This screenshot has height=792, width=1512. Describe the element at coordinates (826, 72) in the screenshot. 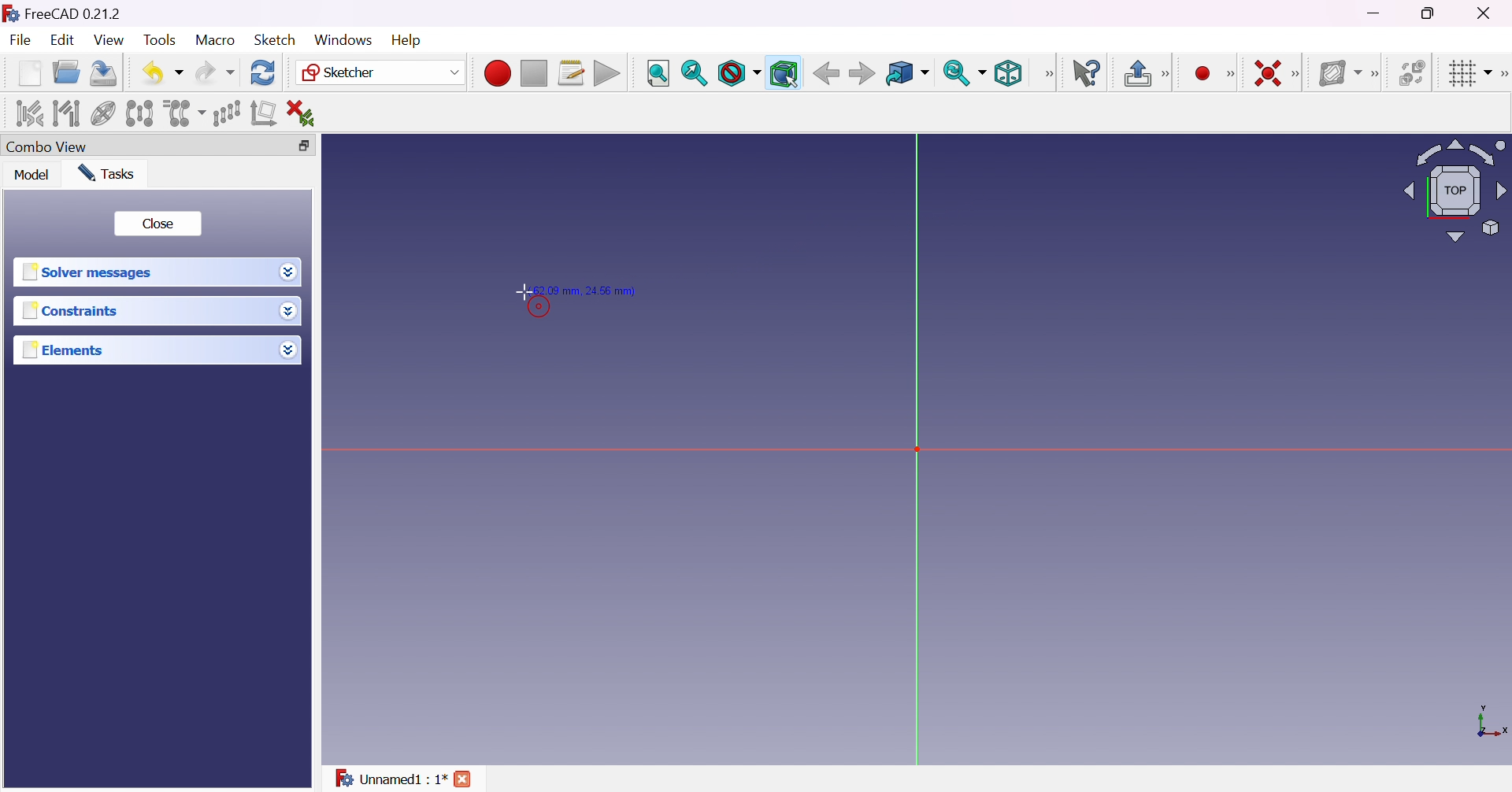

I see `Back` at that location.